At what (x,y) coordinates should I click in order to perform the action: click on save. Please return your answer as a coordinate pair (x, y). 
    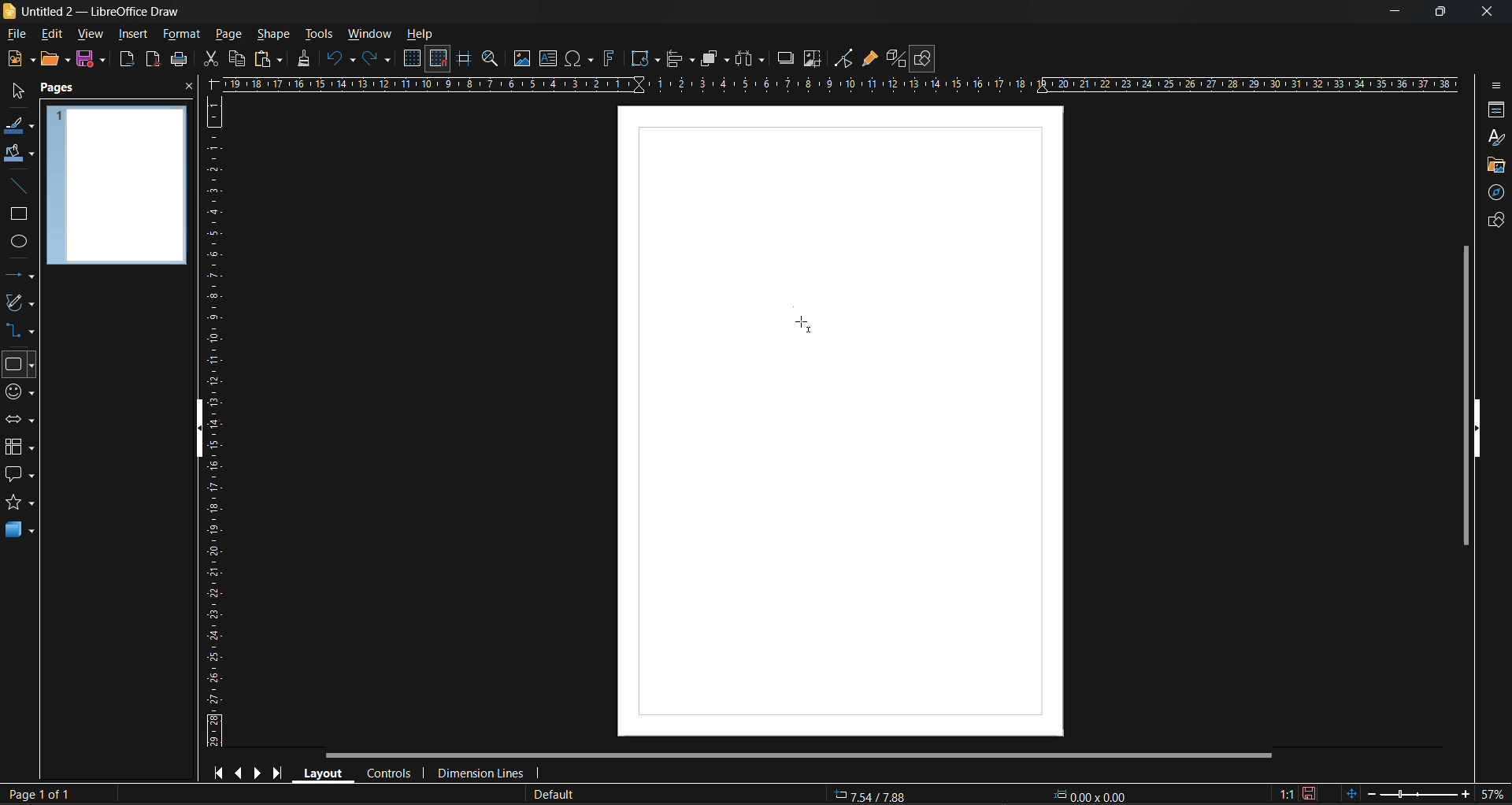
    Looking at the image, I should click on (89, 58).